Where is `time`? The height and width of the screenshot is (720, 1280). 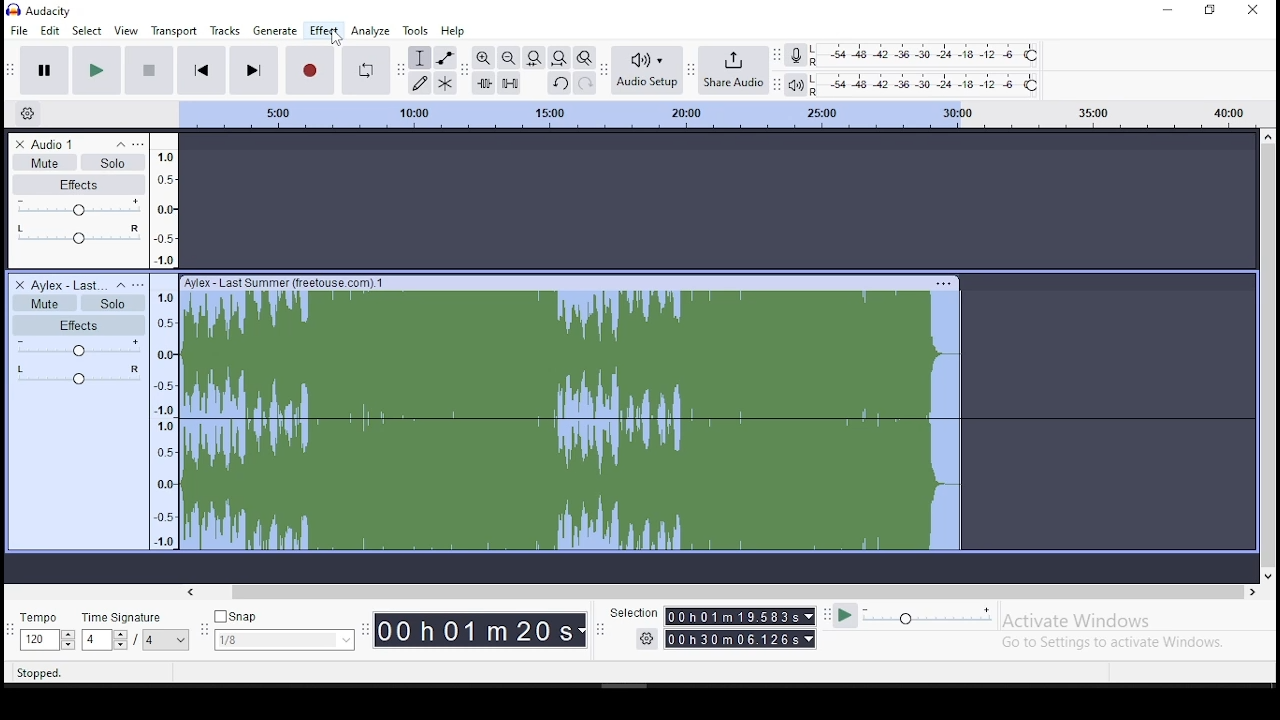
time is located at coordinates (740, 629).